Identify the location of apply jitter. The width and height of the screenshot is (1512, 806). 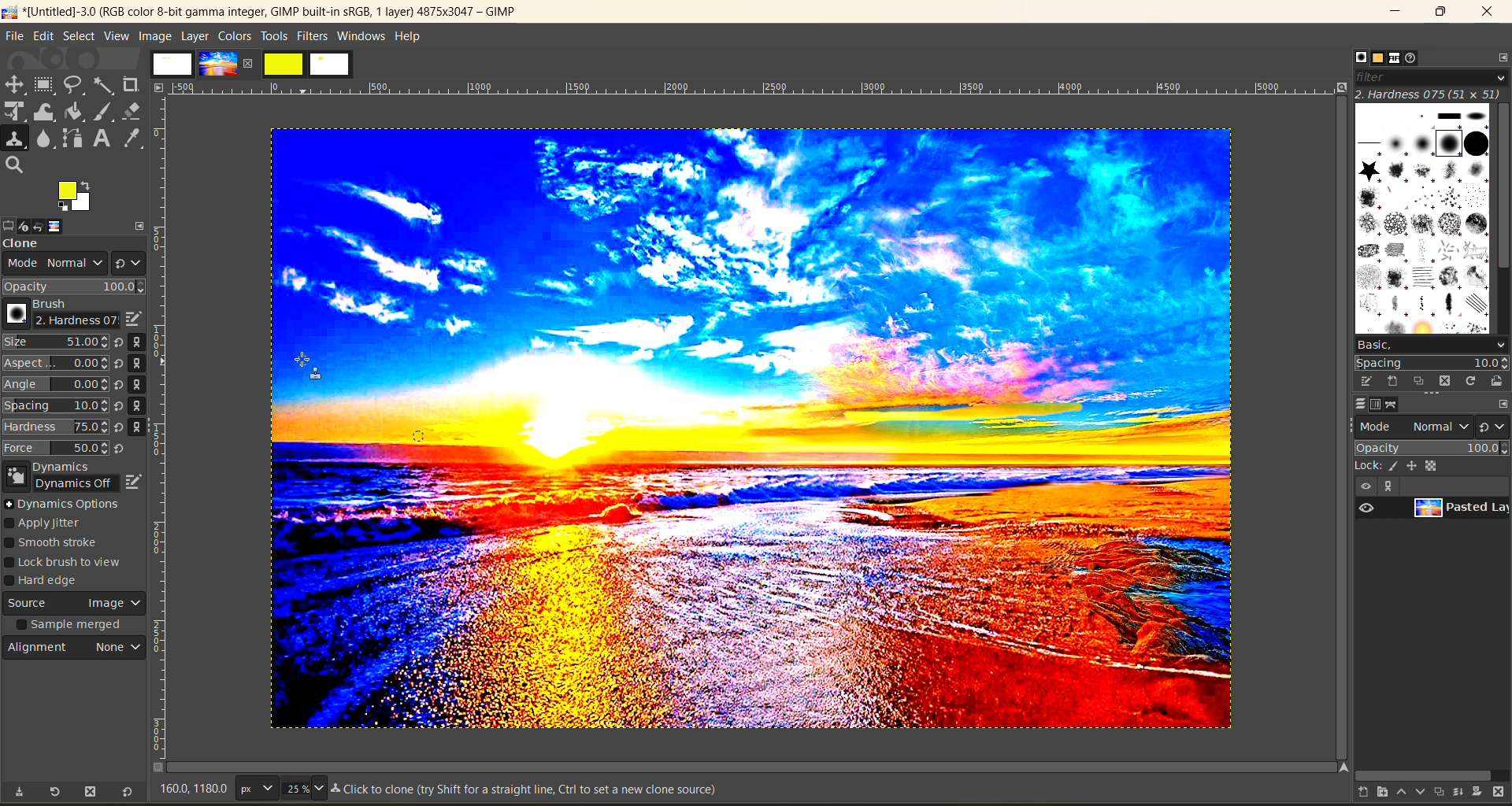
(54, 524).